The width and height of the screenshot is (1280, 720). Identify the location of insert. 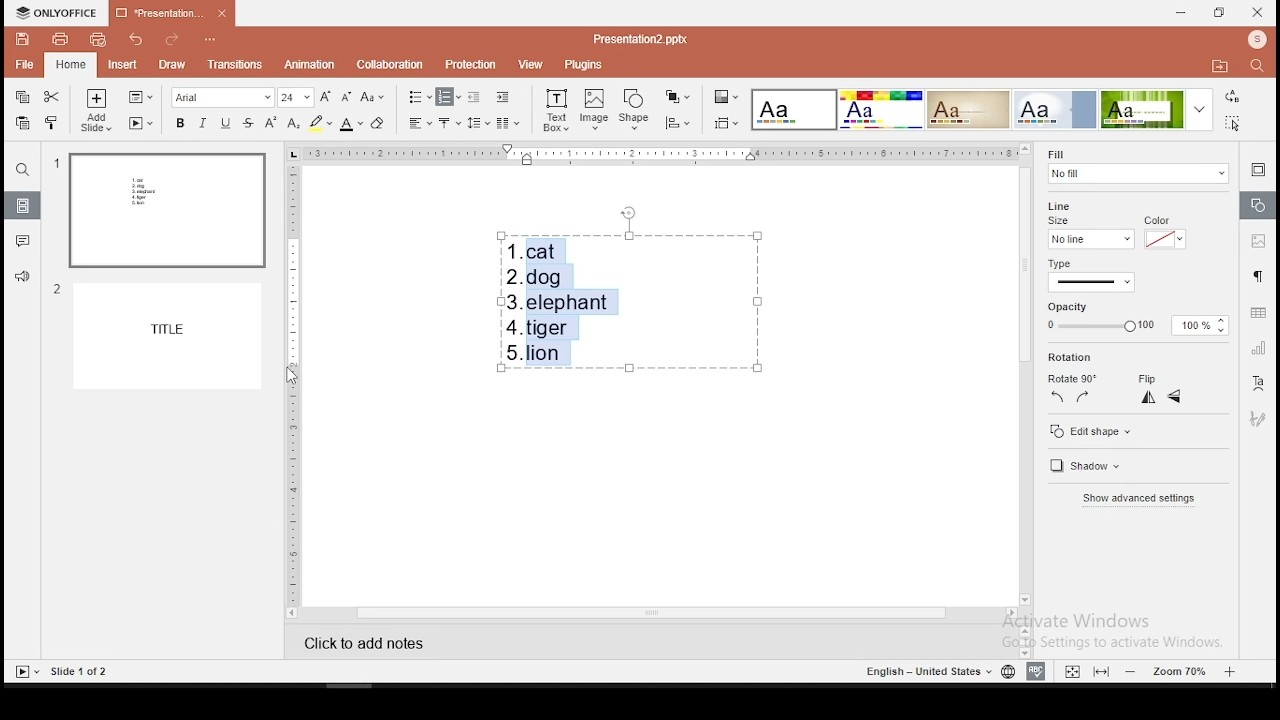
(121, 63).